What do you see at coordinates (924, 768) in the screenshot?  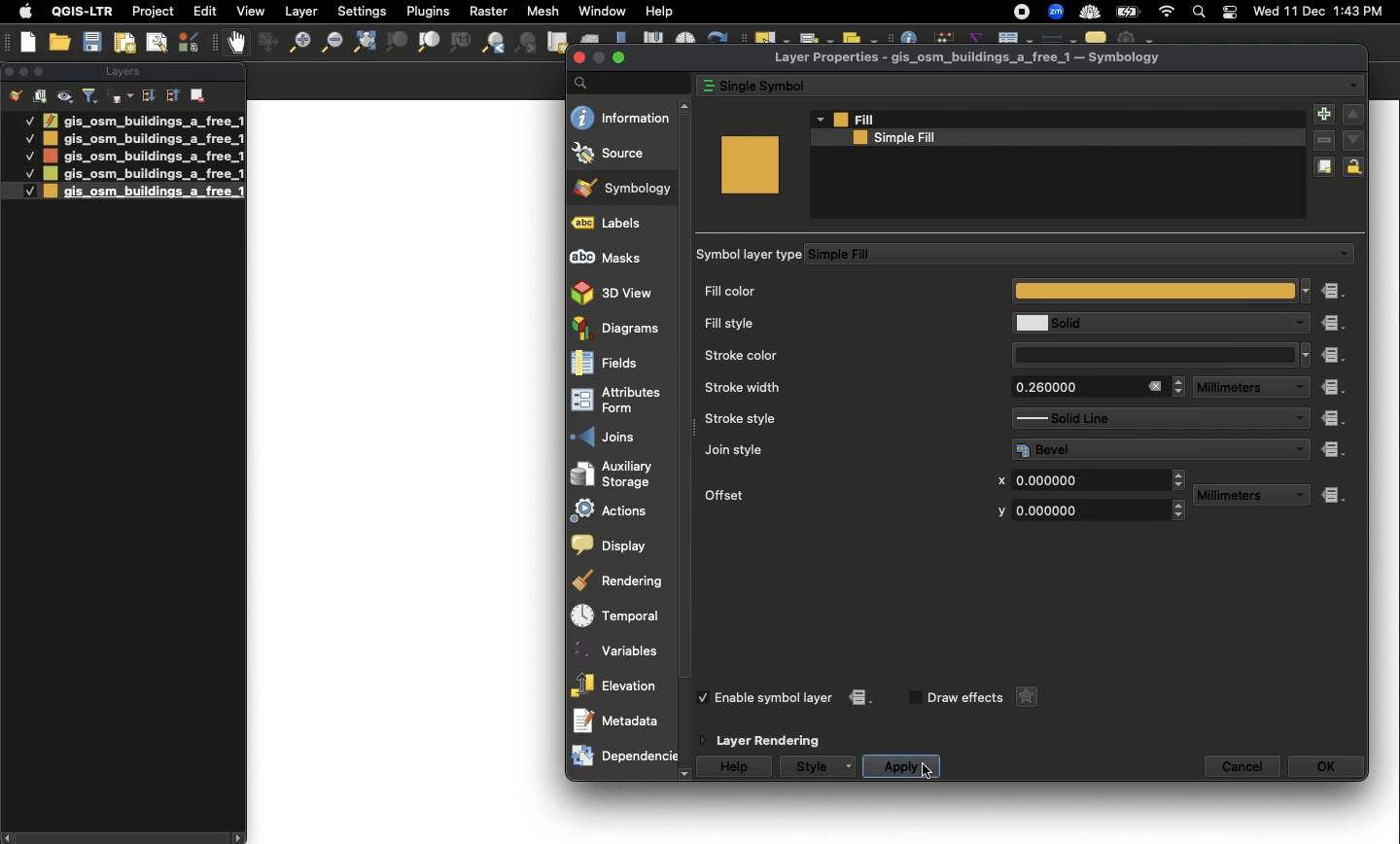 I see `Cursor` at bounding box center [924, 768].